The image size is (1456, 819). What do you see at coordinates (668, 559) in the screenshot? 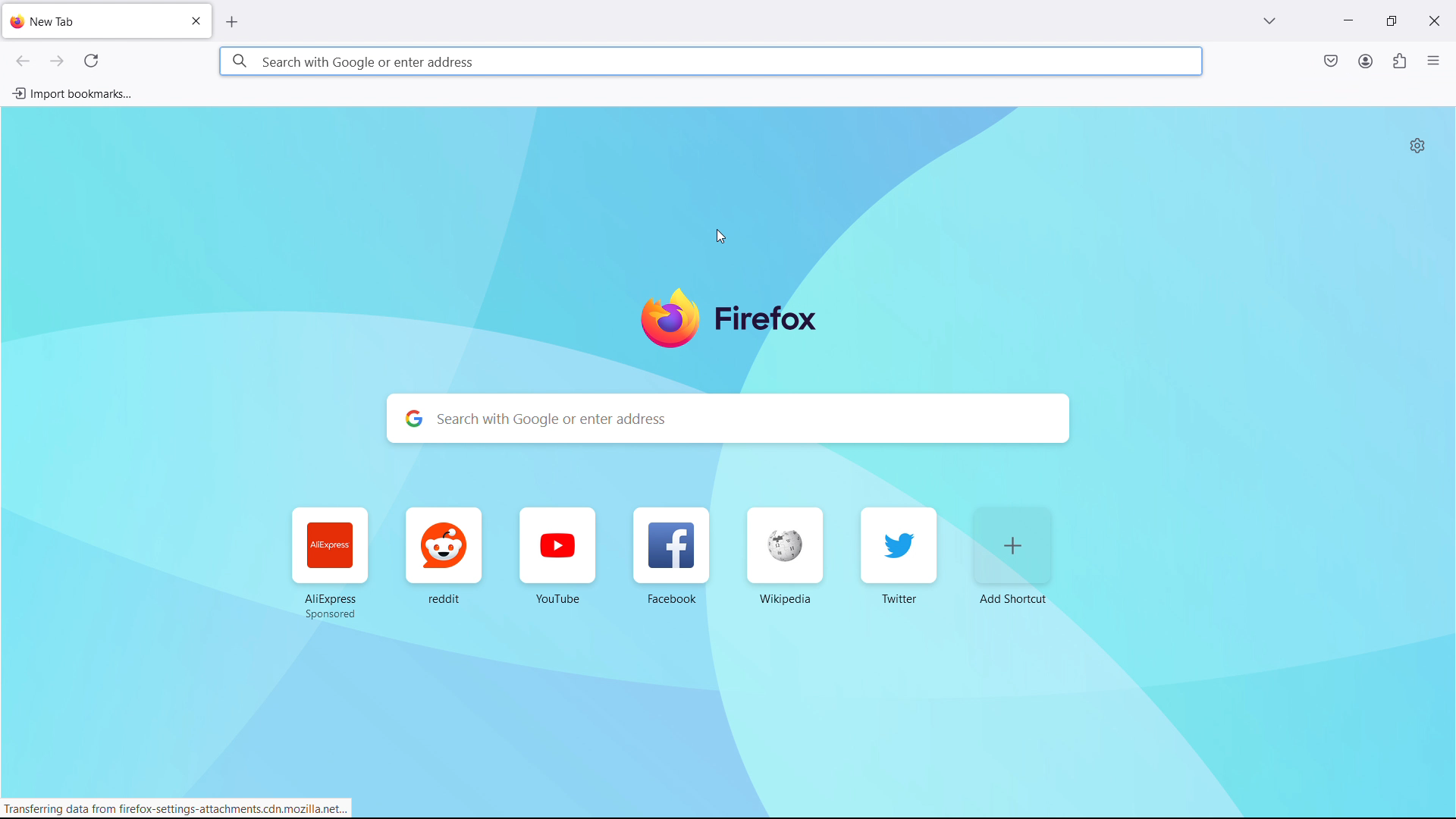
I see `Facebook` at bounding box center [668, 559].